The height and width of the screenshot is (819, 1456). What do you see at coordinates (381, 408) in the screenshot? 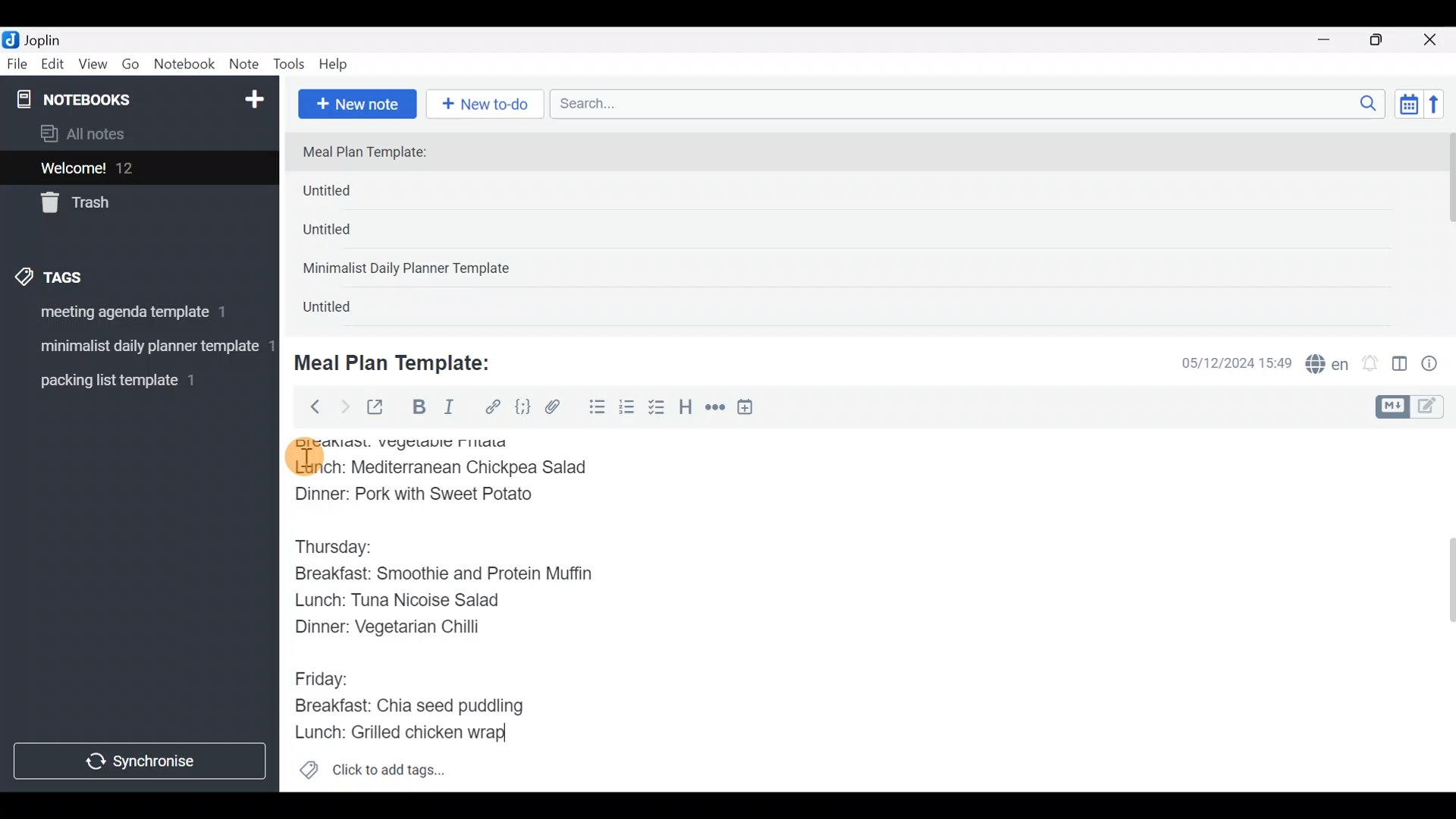
I see `Toggle external editing` at bounding box center [381, 408].